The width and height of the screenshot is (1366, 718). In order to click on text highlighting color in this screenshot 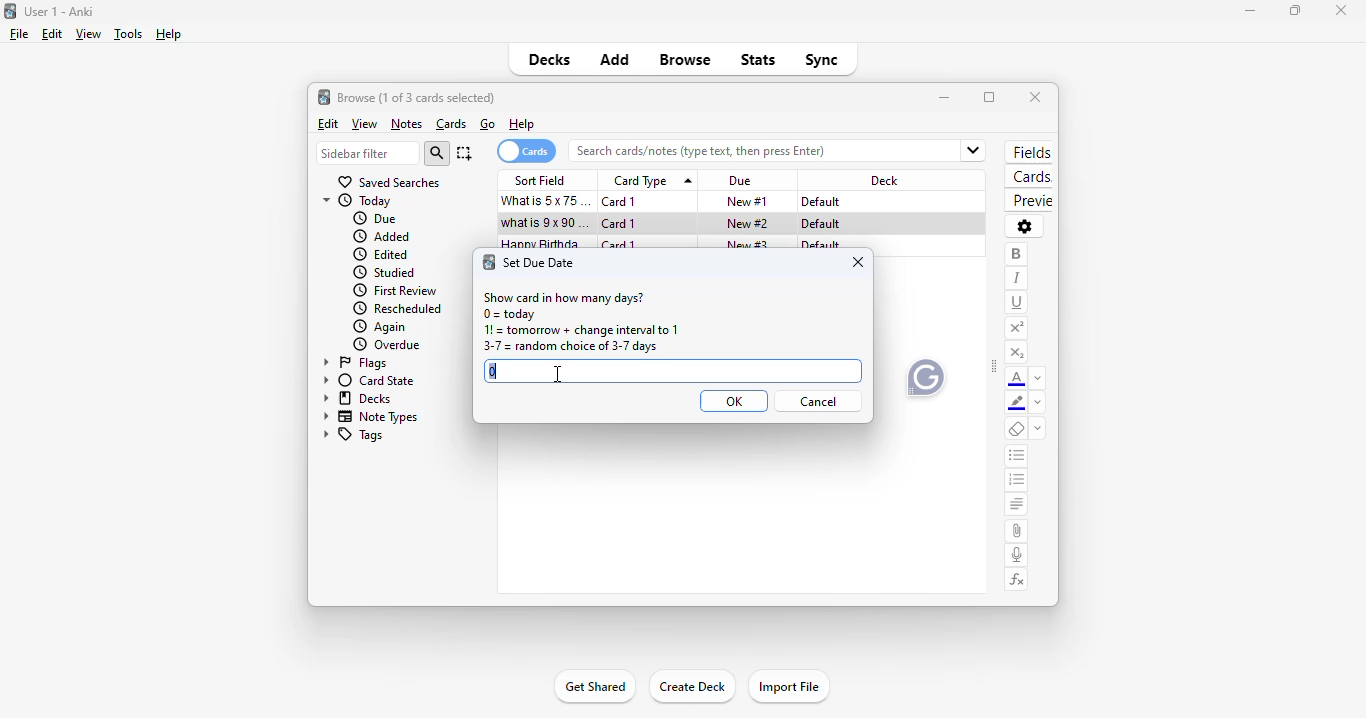, I will do `click(1016, 403)`.